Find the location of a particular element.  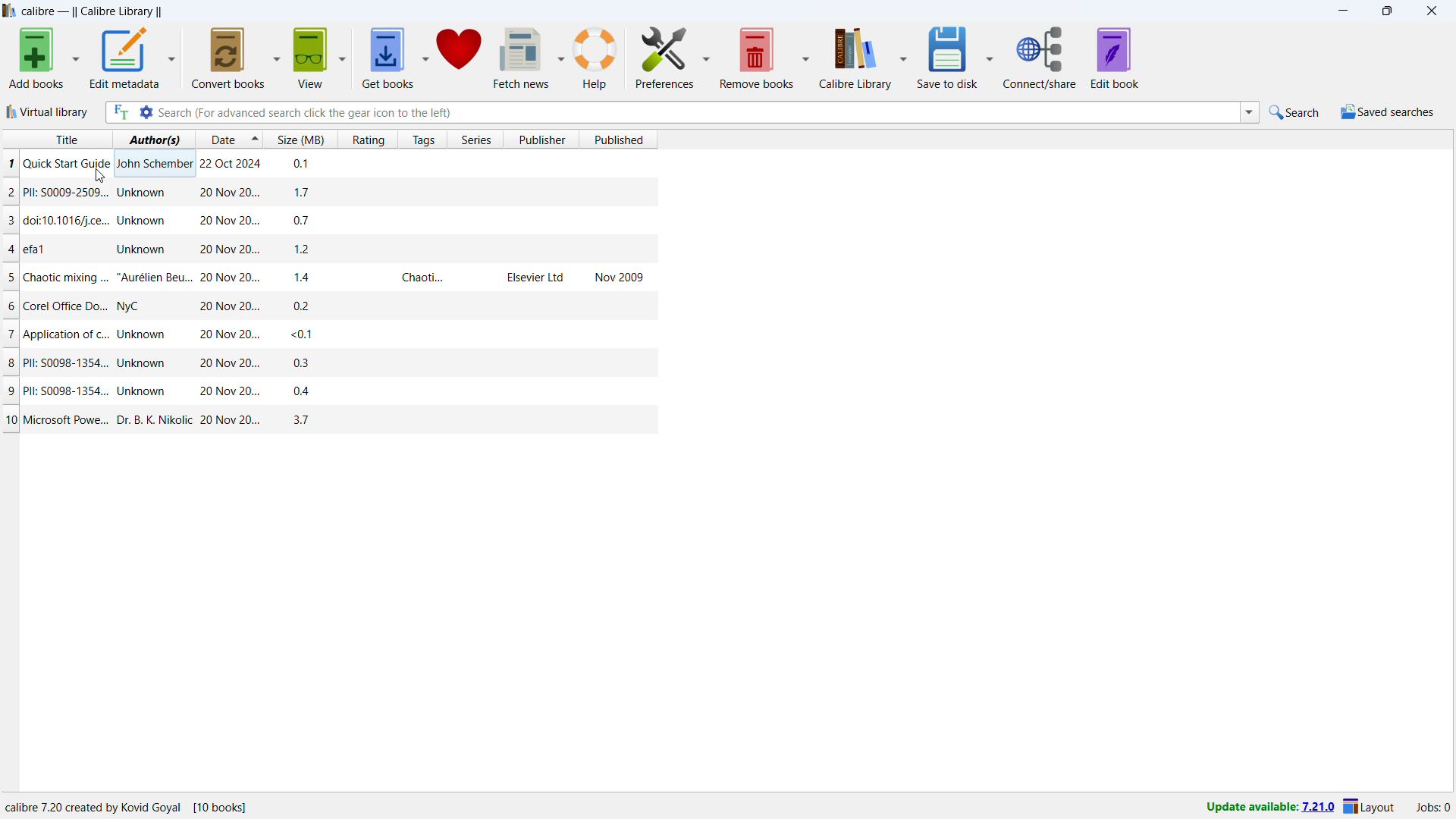

one book entry is located at coordinates (330, 334).